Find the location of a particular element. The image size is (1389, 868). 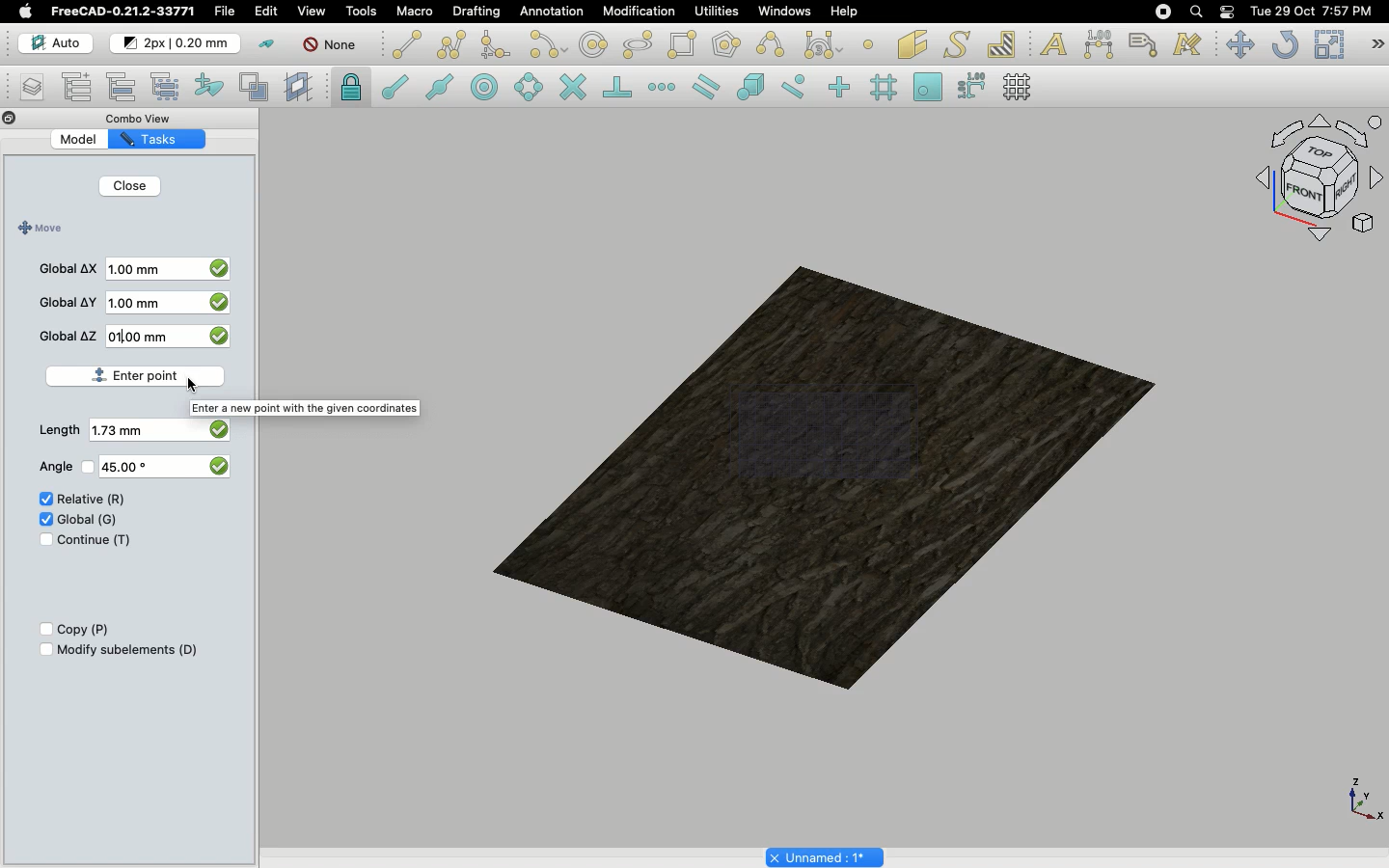

Move to group is located at coordinates (124, 87).